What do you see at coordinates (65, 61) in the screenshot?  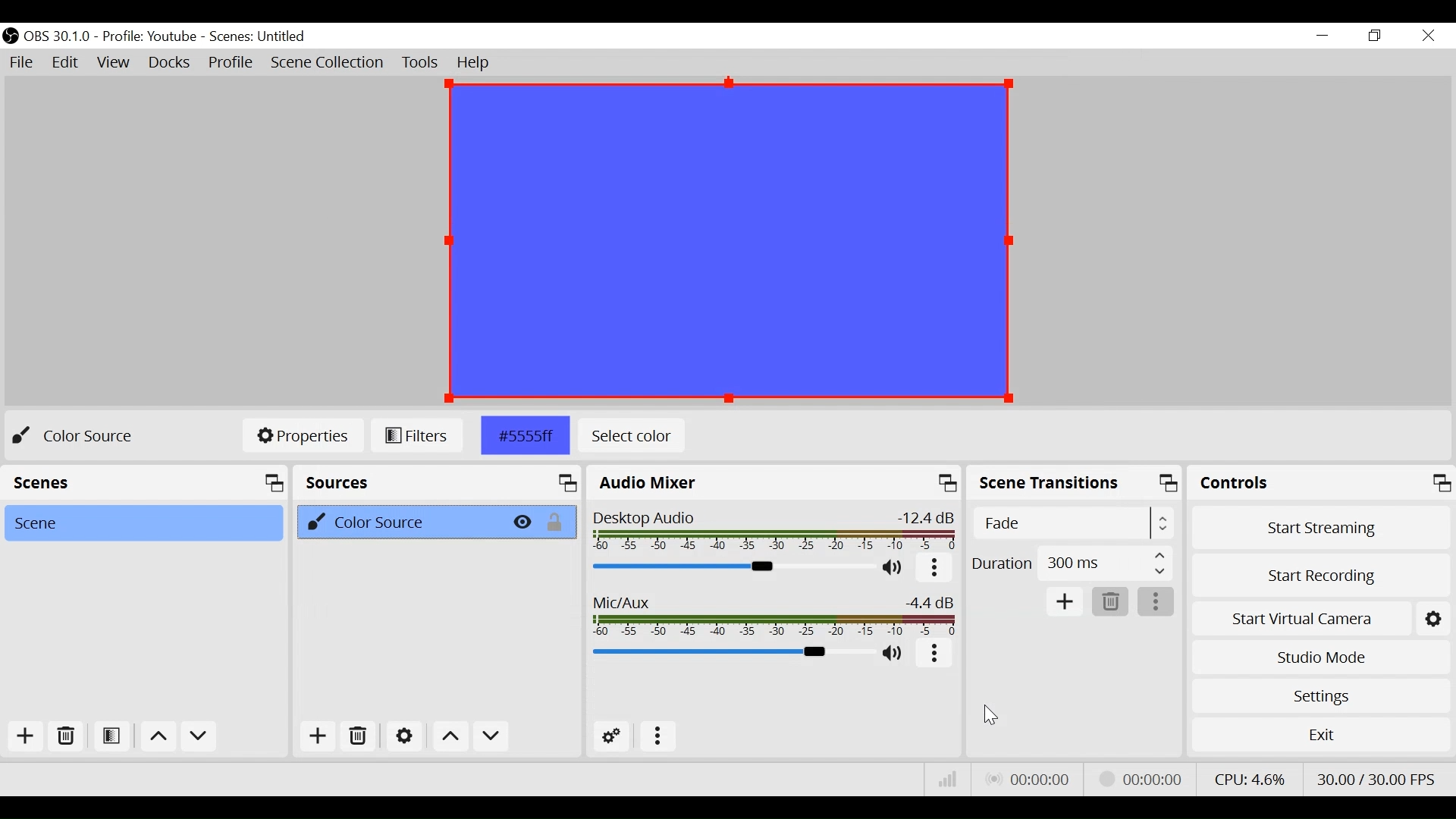 I see `Edit` at bounding box center [65, 61].